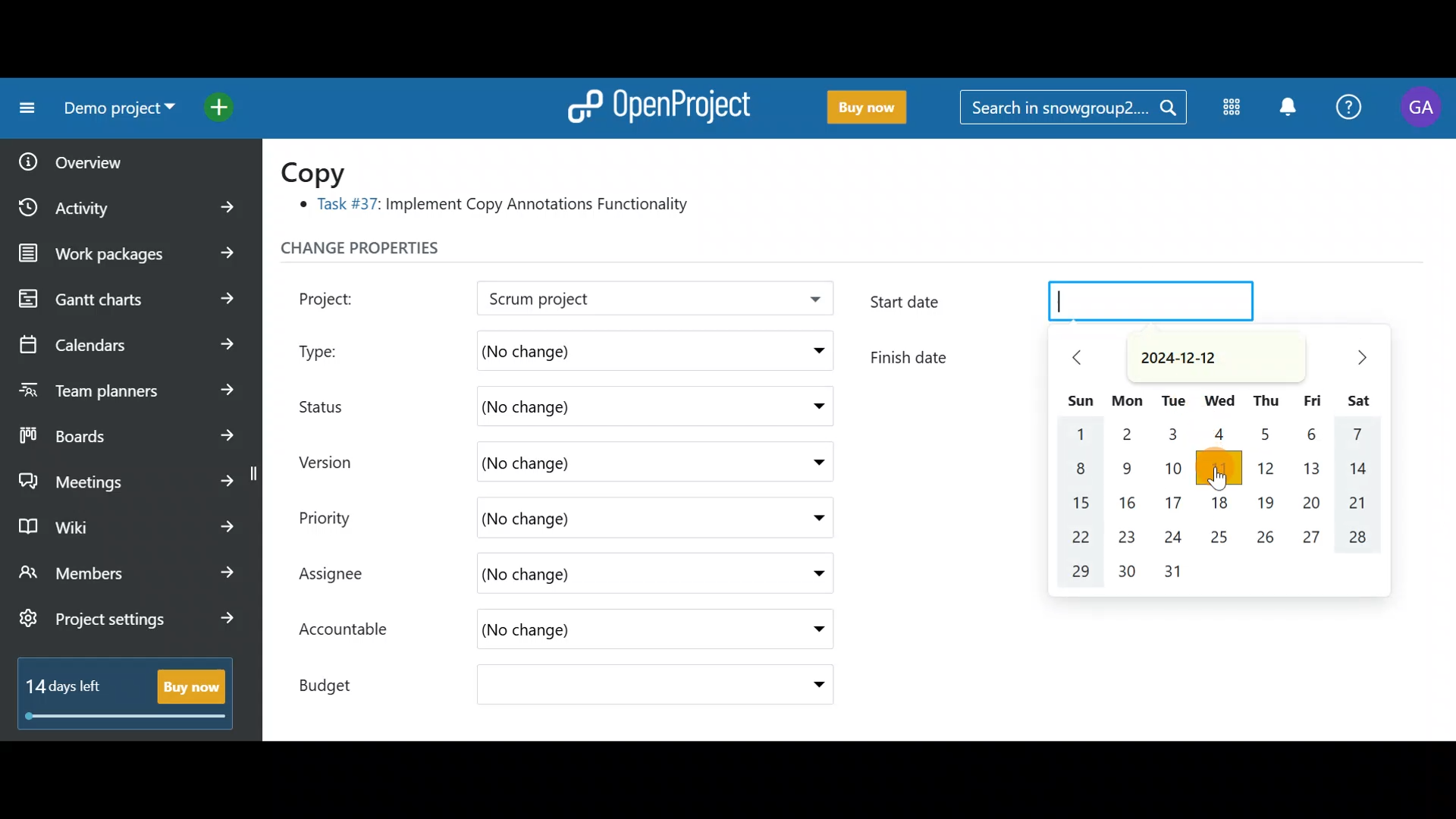  Describe the element at coordinates (334, 462) in the screenshot. I see `Version` at that location.